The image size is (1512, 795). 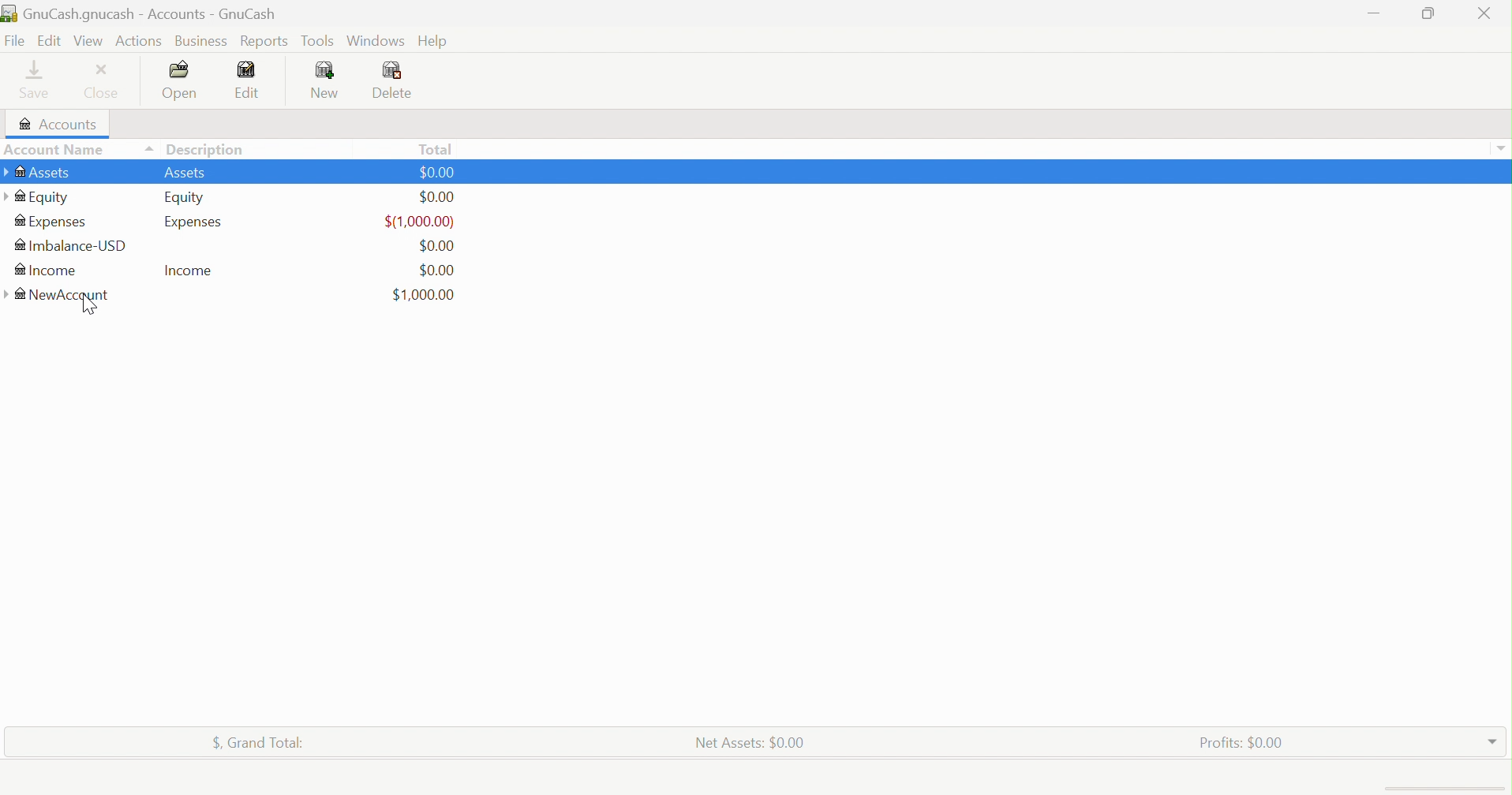 I want to click on File, so click(x=15, y=41).